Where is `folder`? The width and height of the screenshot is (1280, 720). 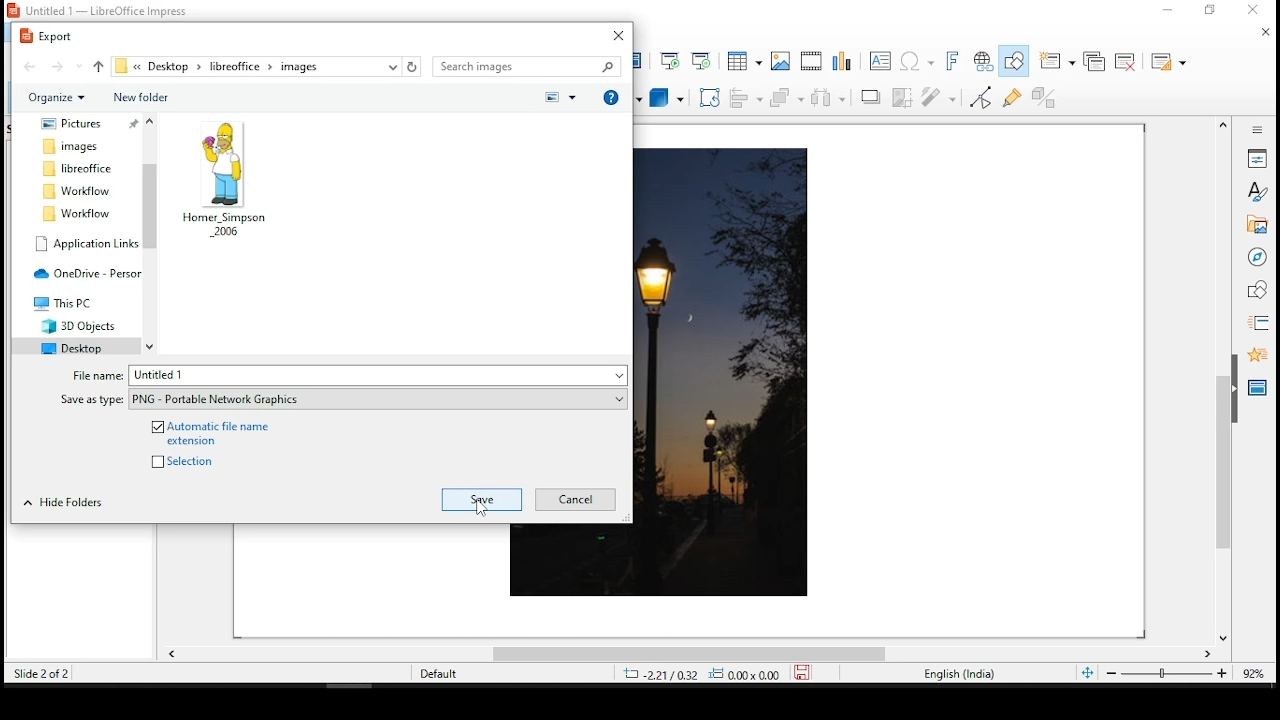
folder is located at coordinates (70, 346).